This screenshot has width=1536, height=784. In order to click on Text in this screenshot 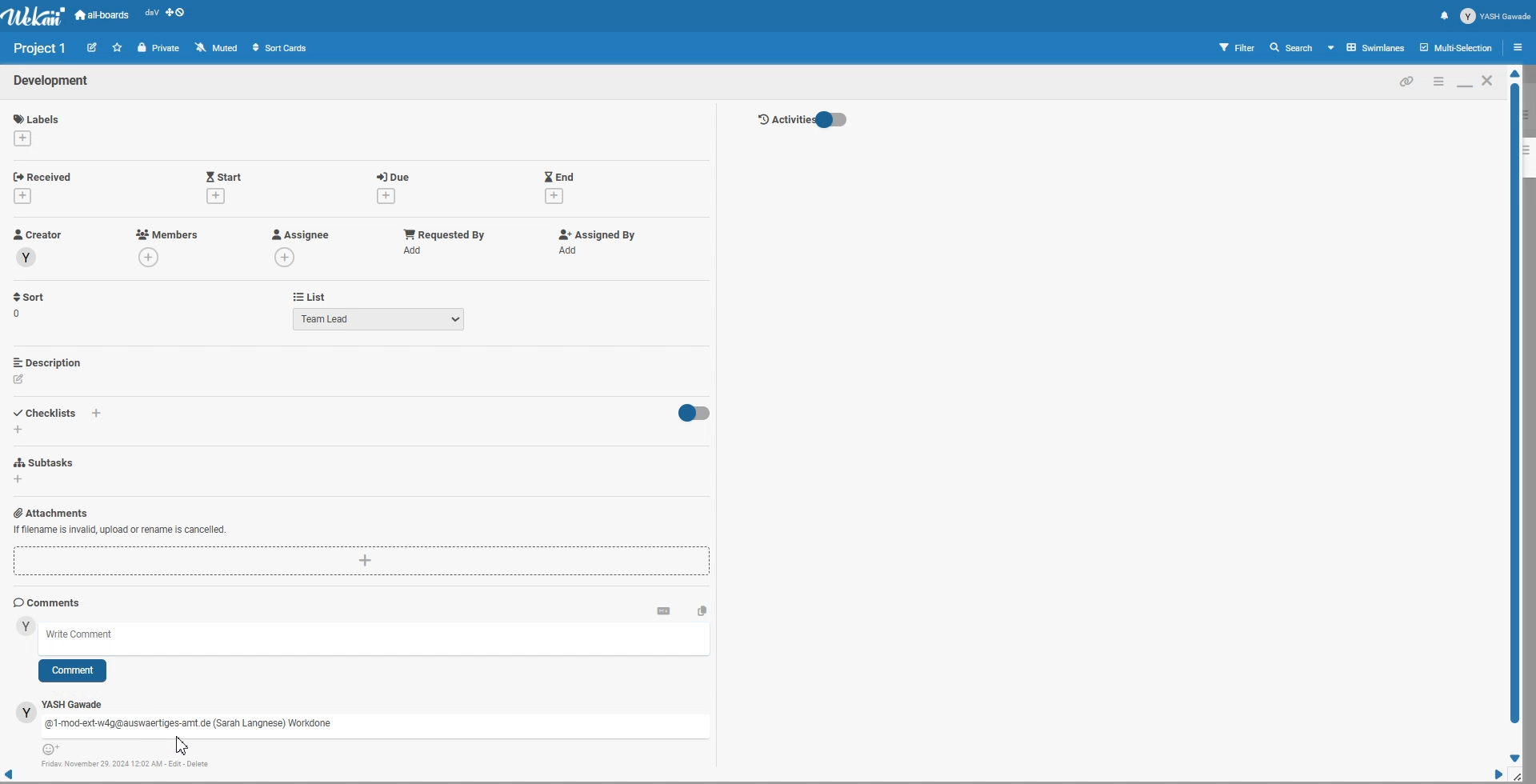, I will do `click(52, 82)`.